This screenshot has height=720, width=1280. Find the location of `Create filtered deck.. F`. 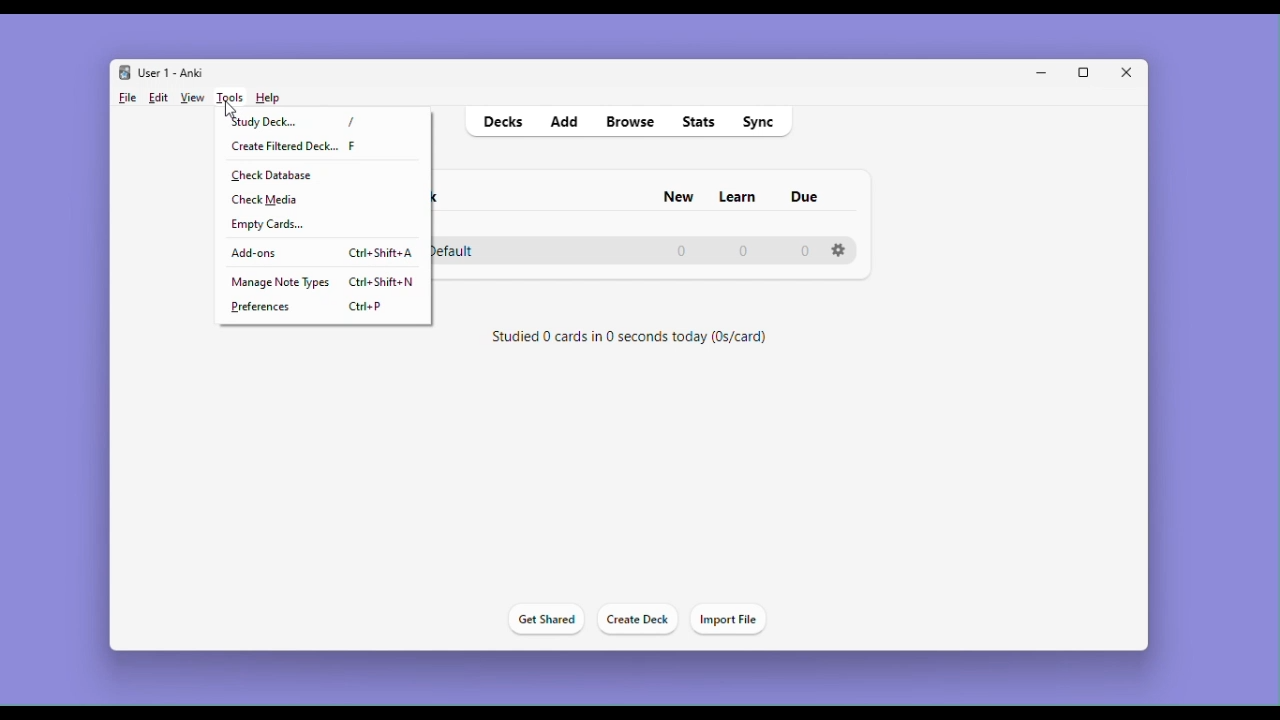

Create filtered deck.. F is located at coordinates (293, 147).